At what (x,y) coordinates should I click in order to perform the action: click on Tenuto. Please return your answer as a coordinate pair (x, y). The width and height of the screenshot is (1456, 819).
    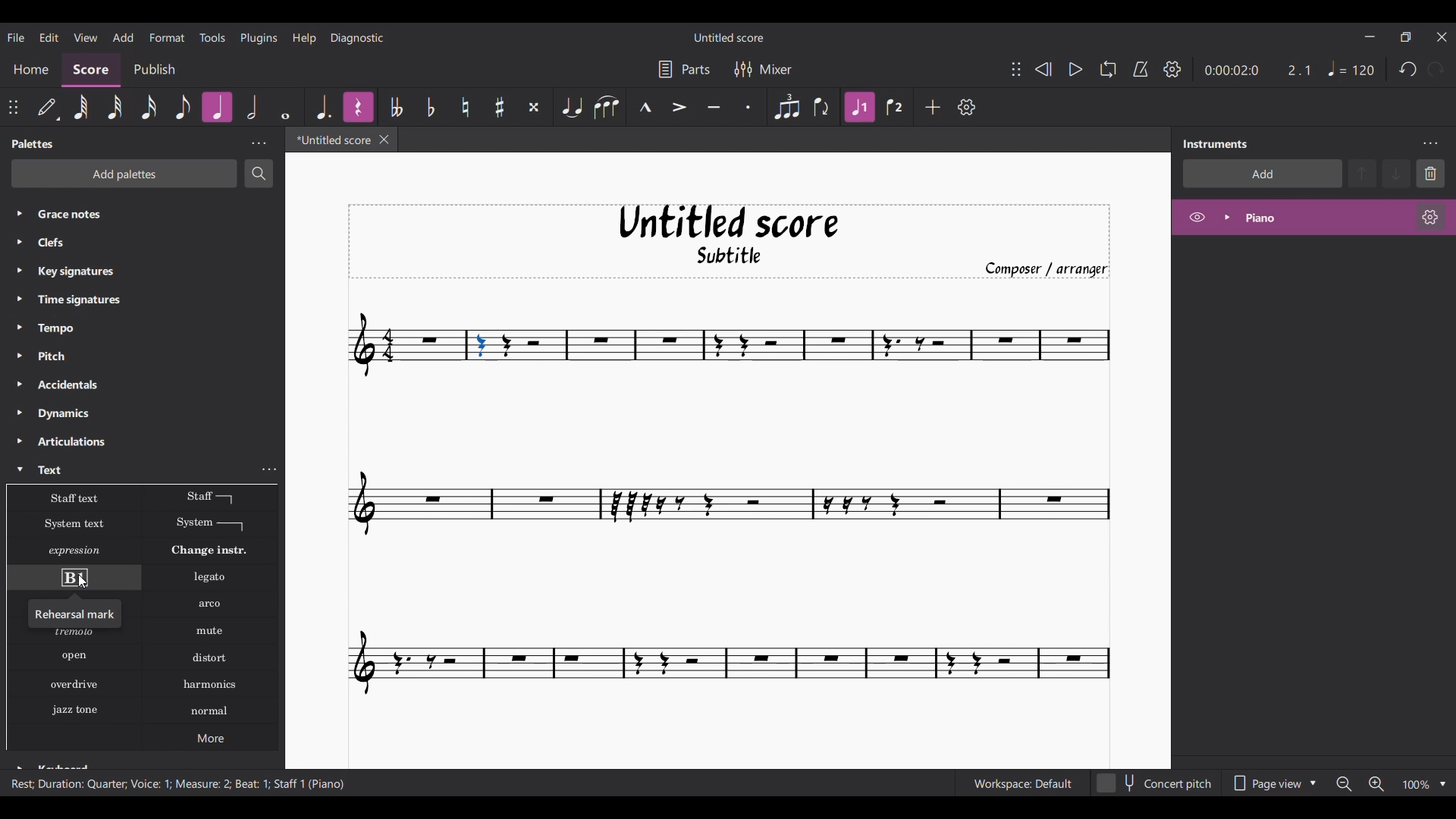
    Looking at the image, I should click on (714, 107).